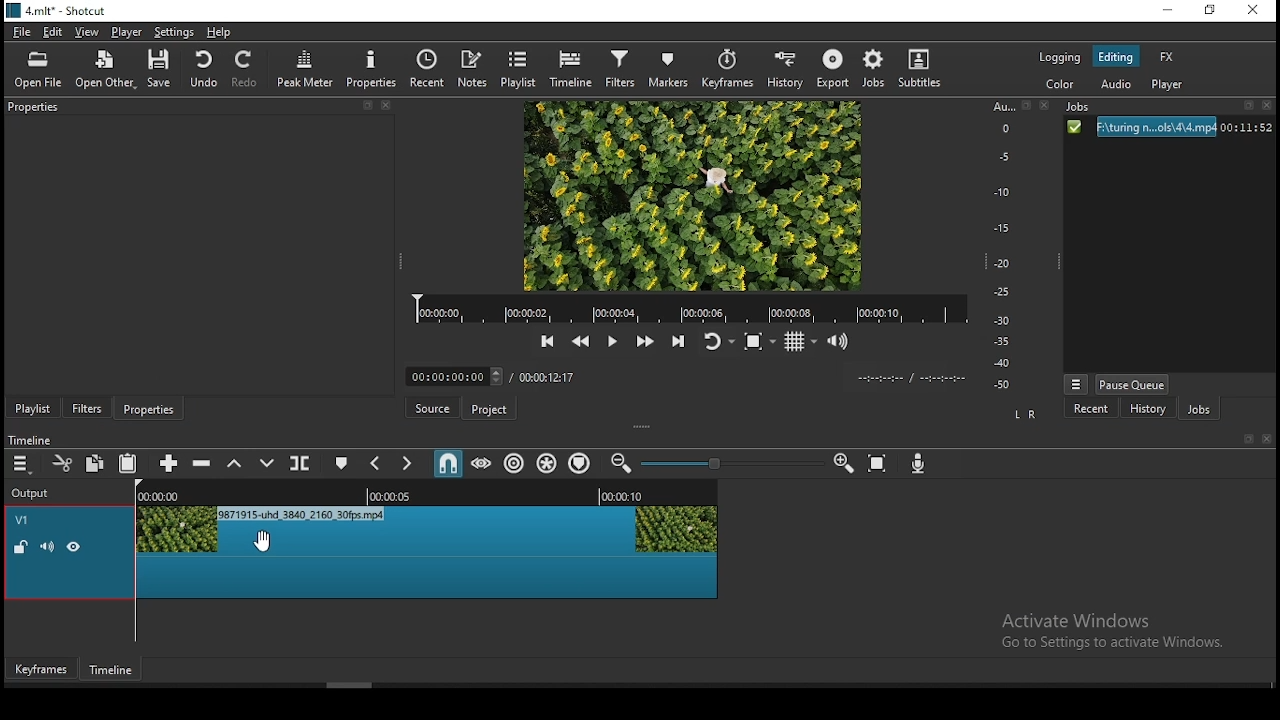 The height and width of the screenshot is (720, 1280). I want to click on properties, so click(34, 105).